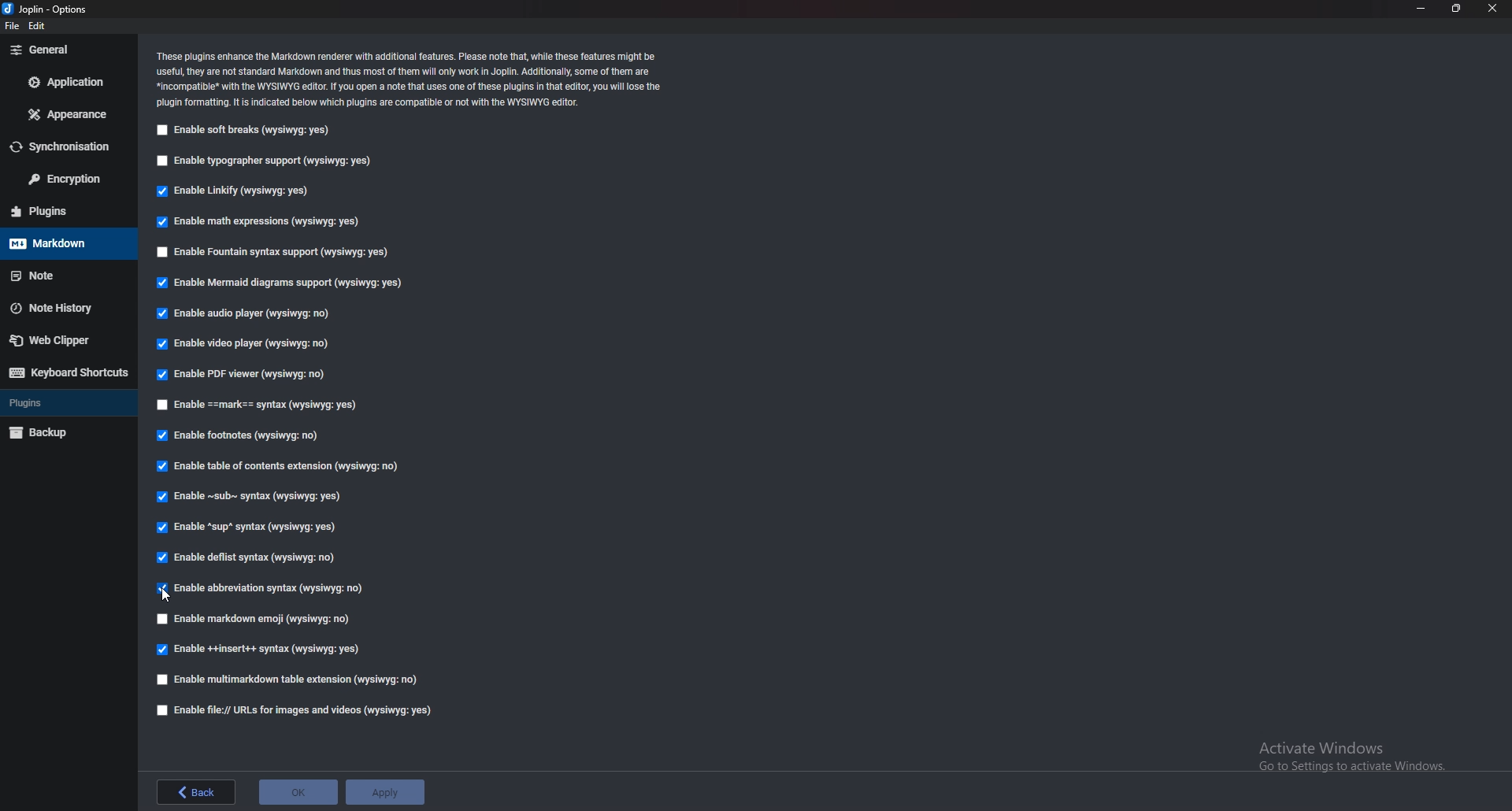 The width and height of the screenshot is (1512, 811). I want to click on Enable insert syntax, so click(259, 651).